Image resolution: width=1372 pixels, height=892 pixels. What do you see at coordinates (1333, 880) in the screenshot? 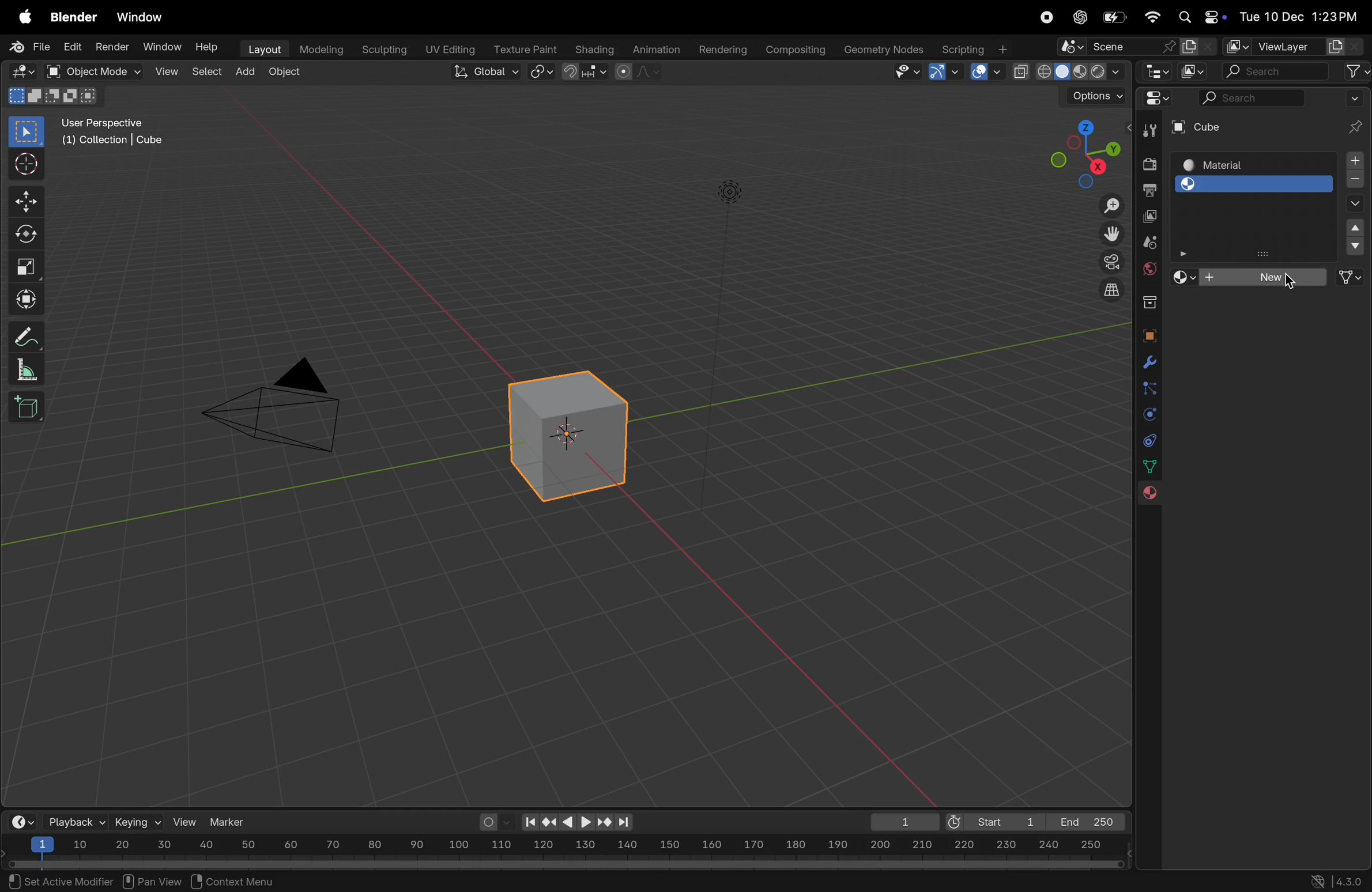
I see `version 4.30` at bounding box center [1333, 880].